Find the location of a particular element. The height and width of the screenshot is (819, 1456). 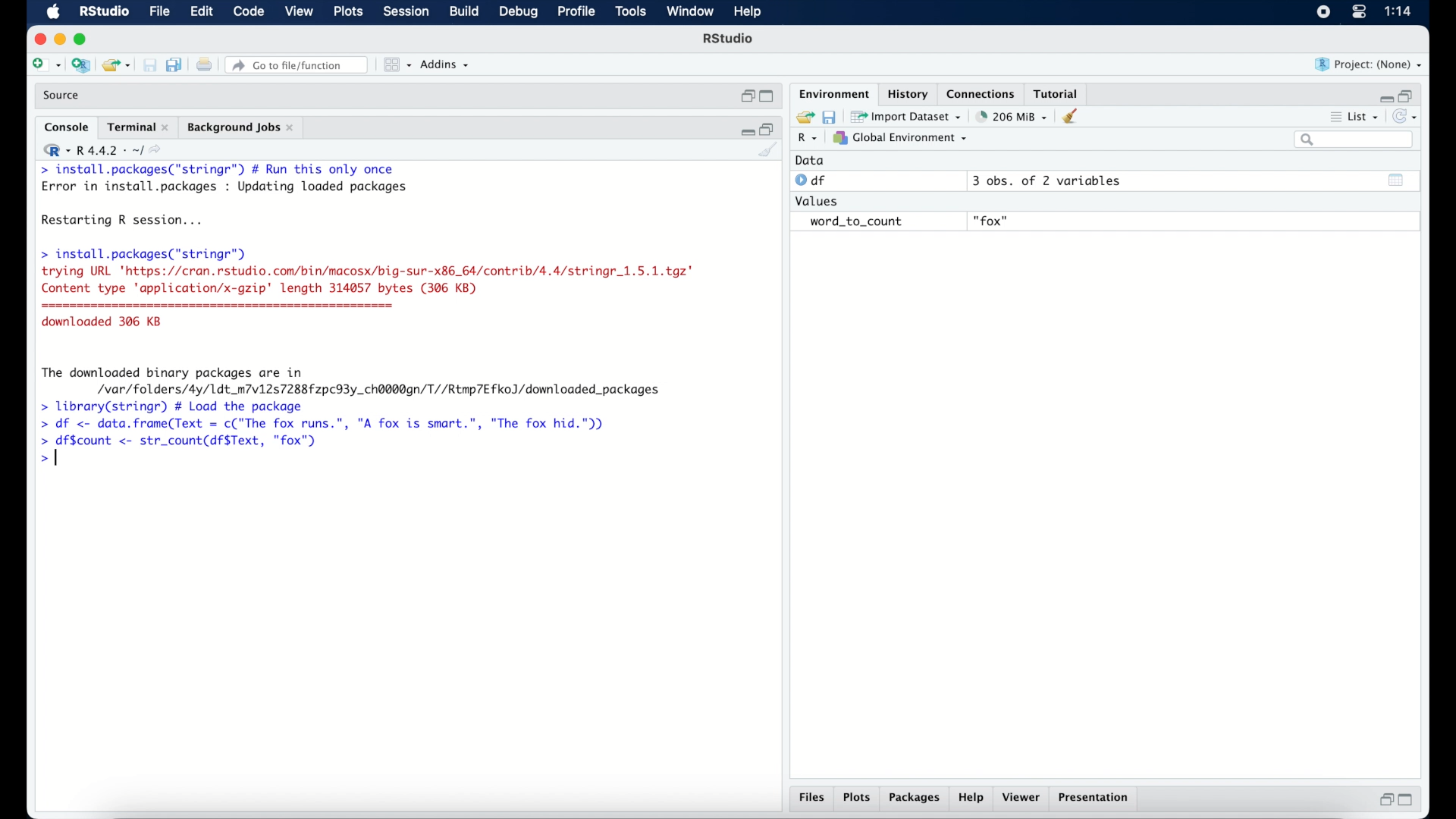

maximize is located at coordinates (1409, 800).